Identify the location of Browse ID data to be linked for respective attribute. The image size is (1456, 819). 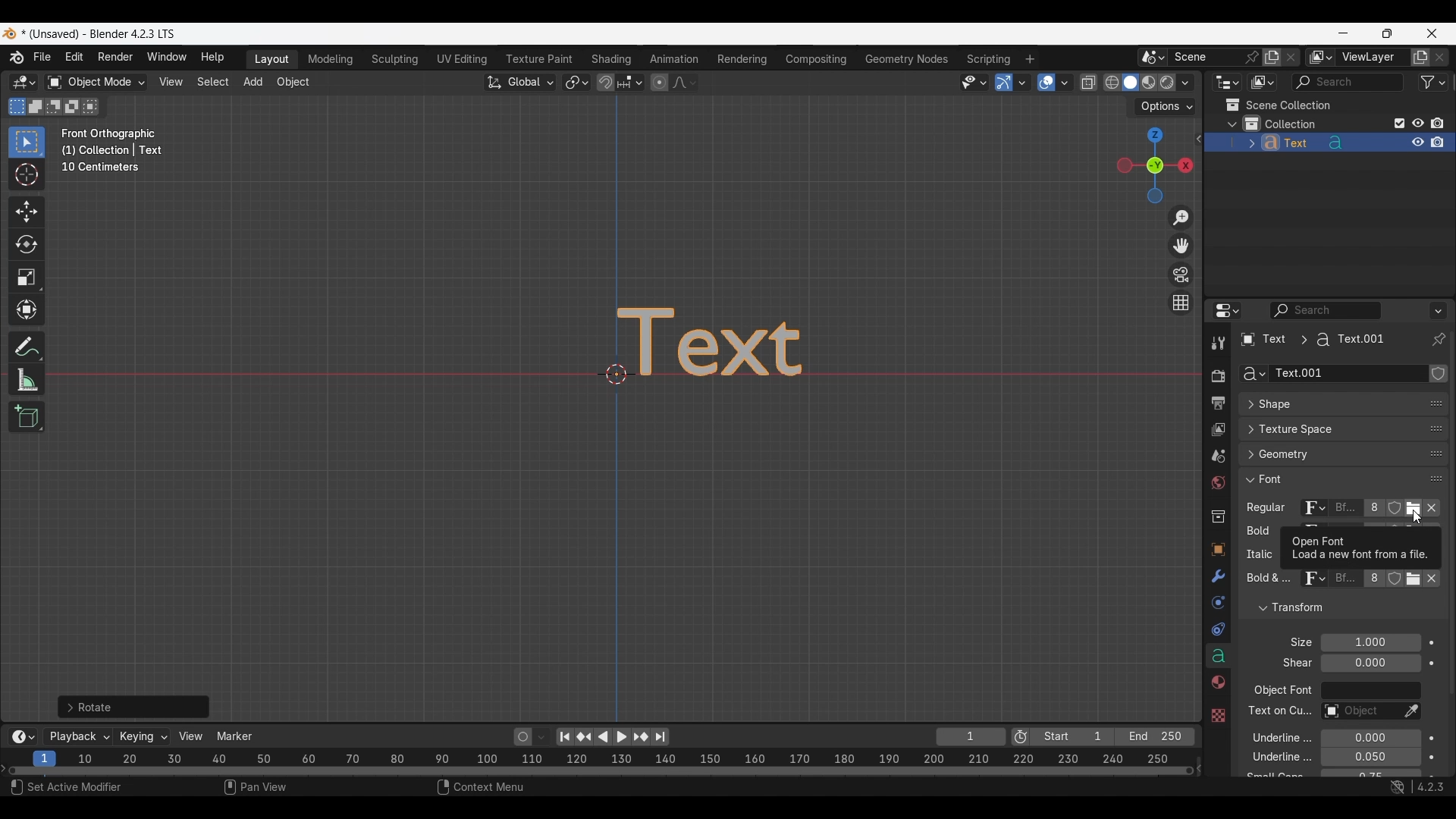
(1314, 509).